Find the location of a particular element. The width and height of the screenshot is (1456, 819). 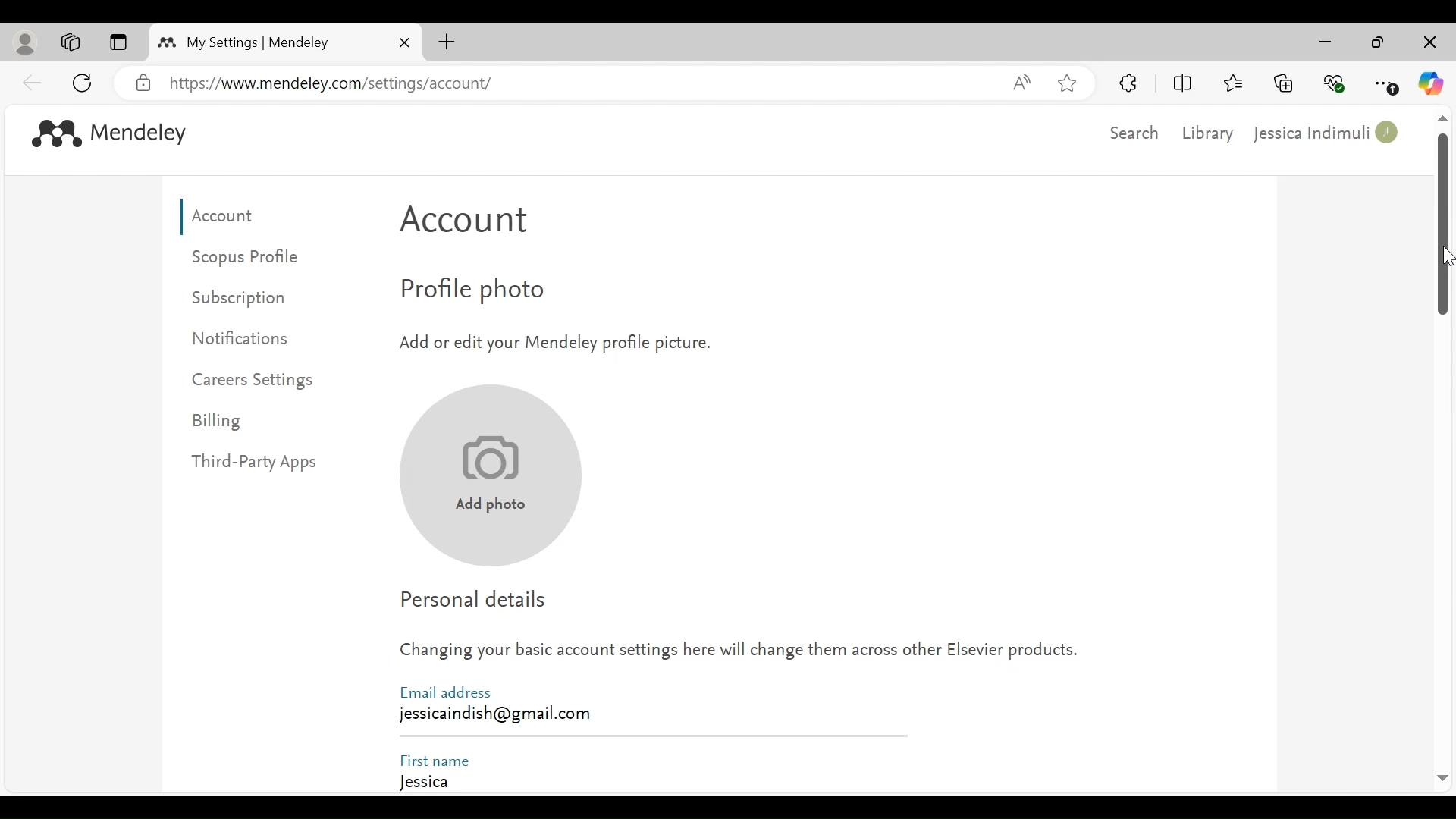

library is located at coordinates (1210, 132).